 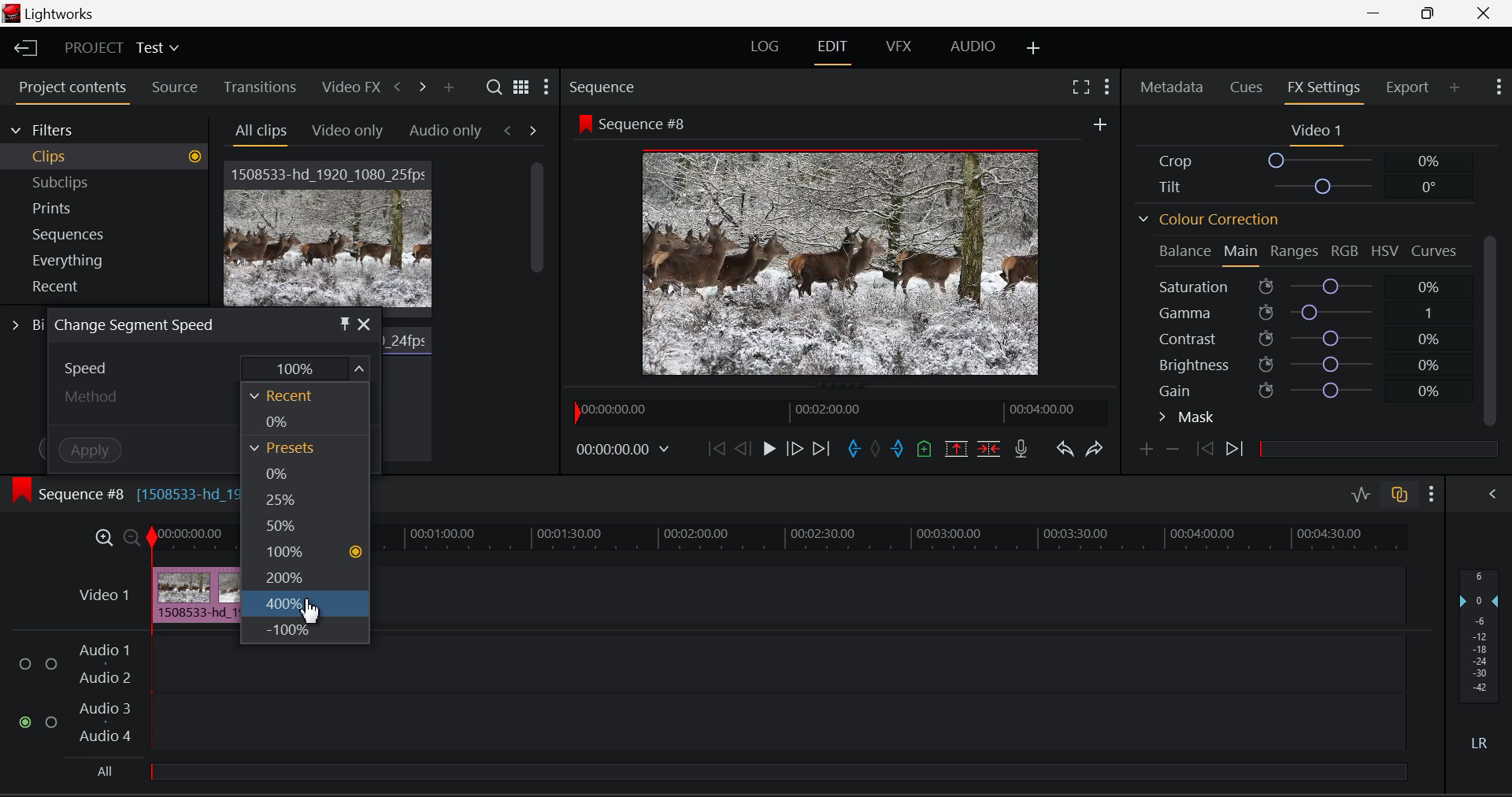 I want to click on Minimize Timeline, so click(x=131, y=537).